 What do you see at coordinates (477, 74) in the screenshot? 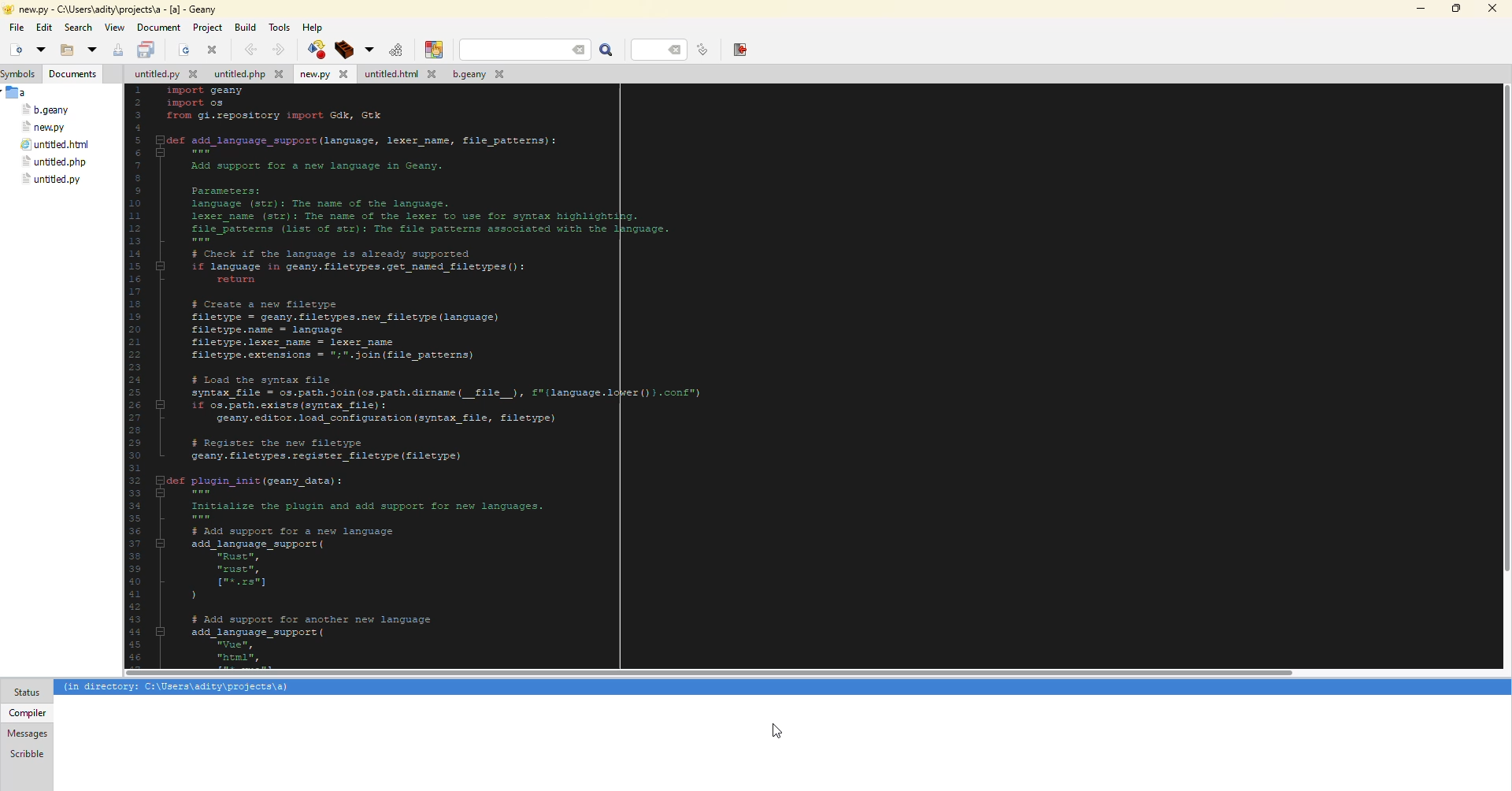
I see `file` at bounding box center [477, 74].